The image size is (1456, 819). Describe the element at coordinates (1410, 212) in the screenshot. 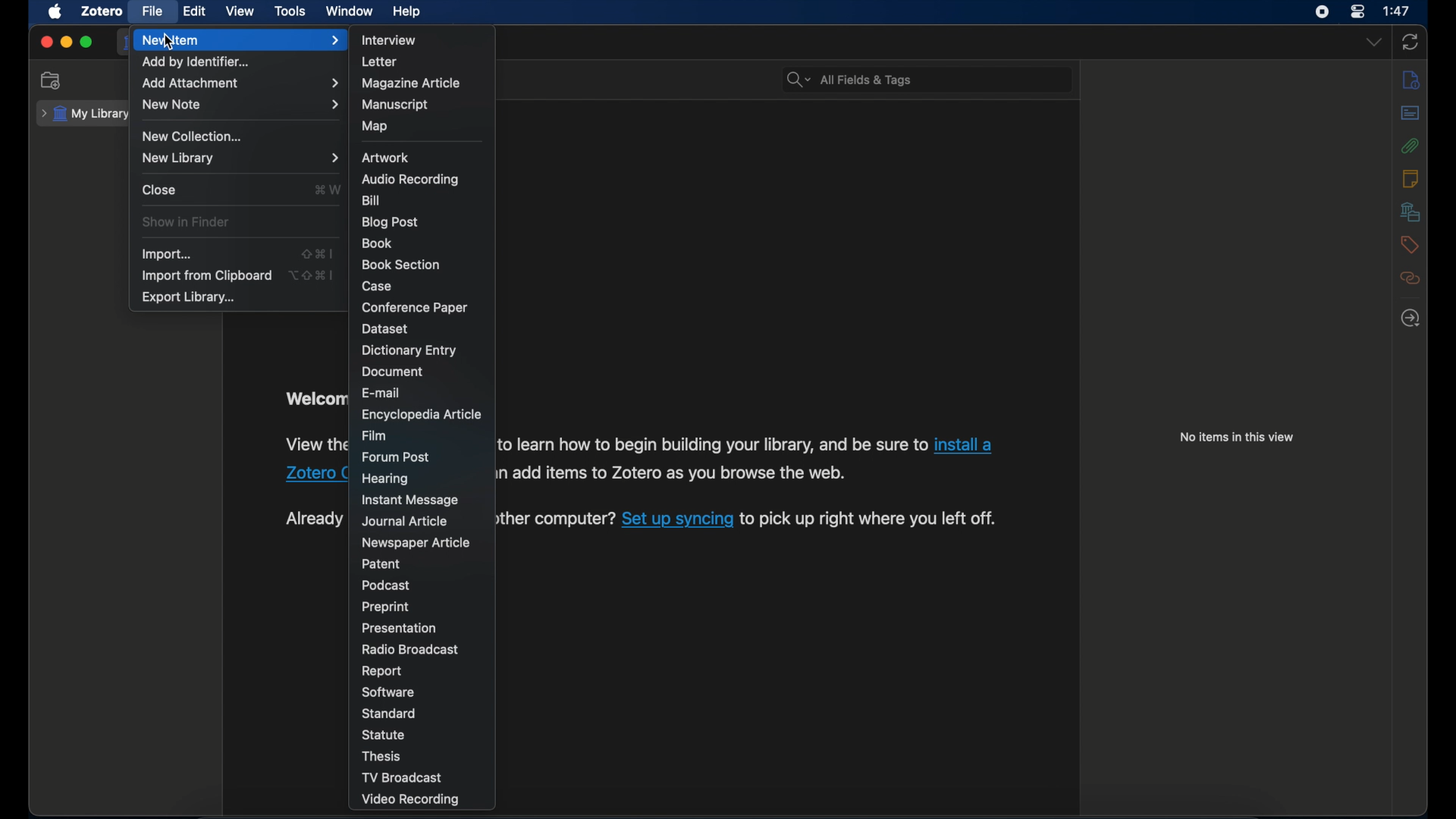

I see `libraries` at that location.